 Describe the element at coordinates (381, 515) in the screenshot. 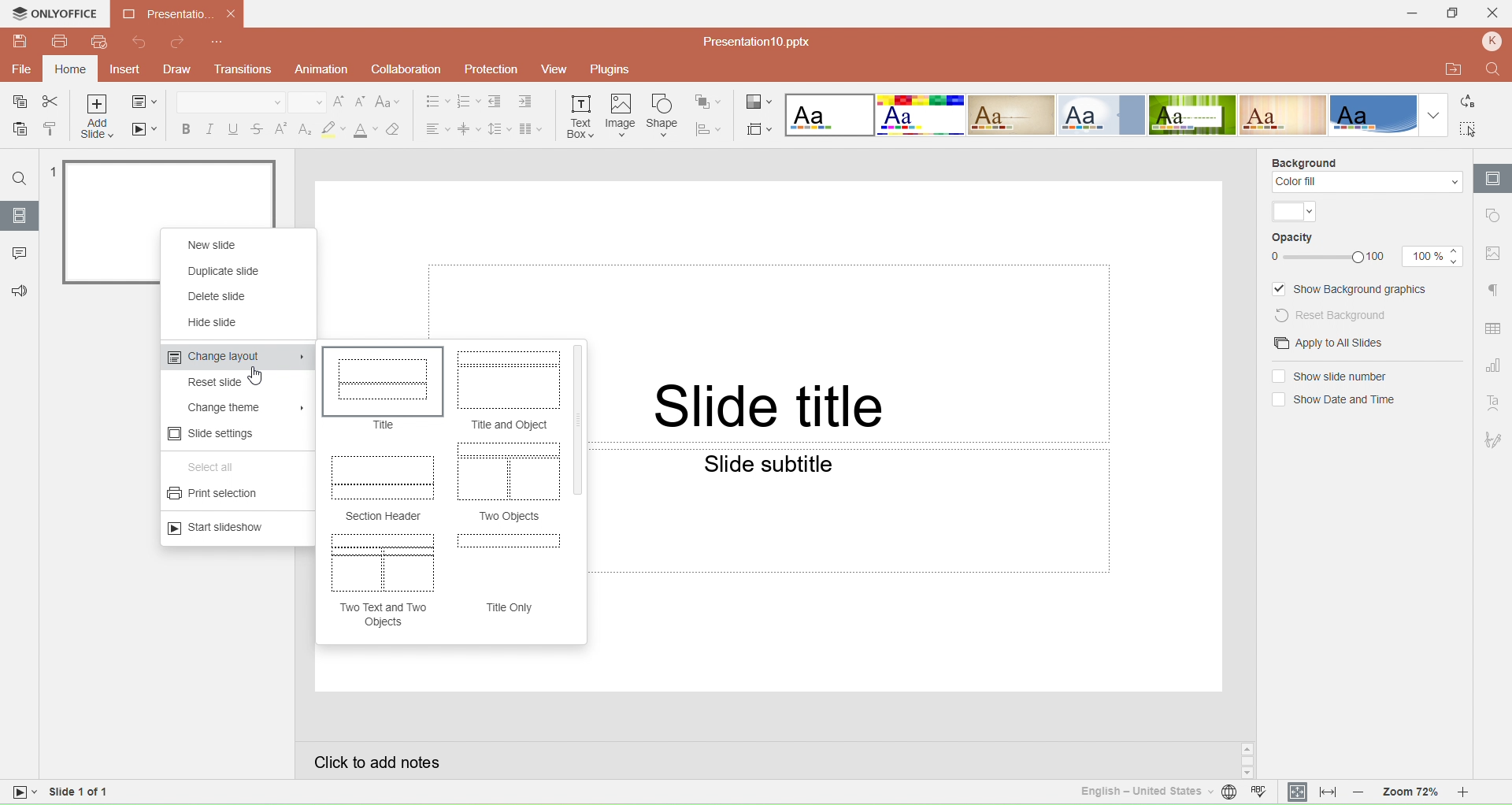

I see `Section Header` at that location.